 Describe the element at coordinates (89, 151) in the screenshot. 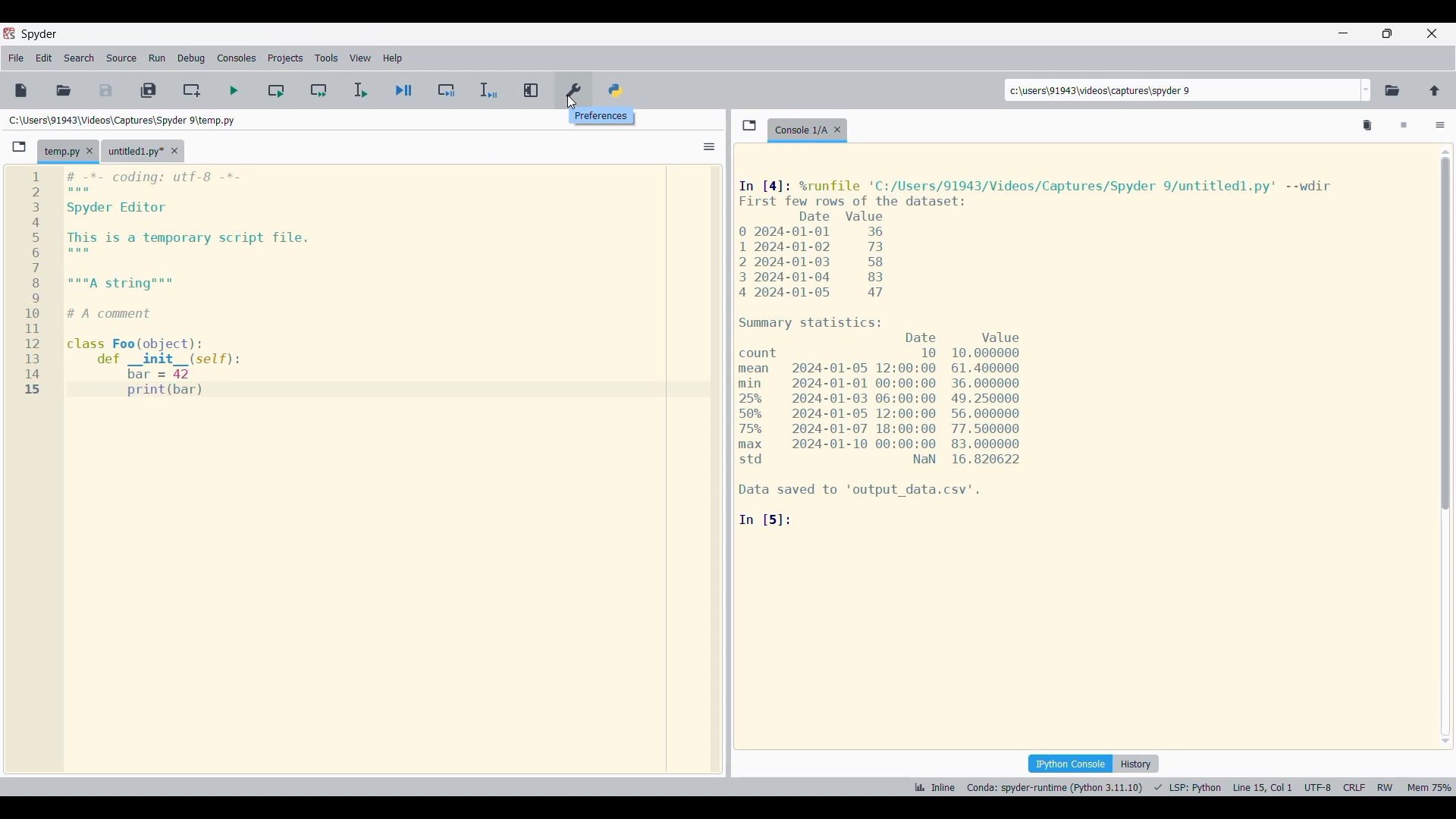

I see `Close tab` at that location.